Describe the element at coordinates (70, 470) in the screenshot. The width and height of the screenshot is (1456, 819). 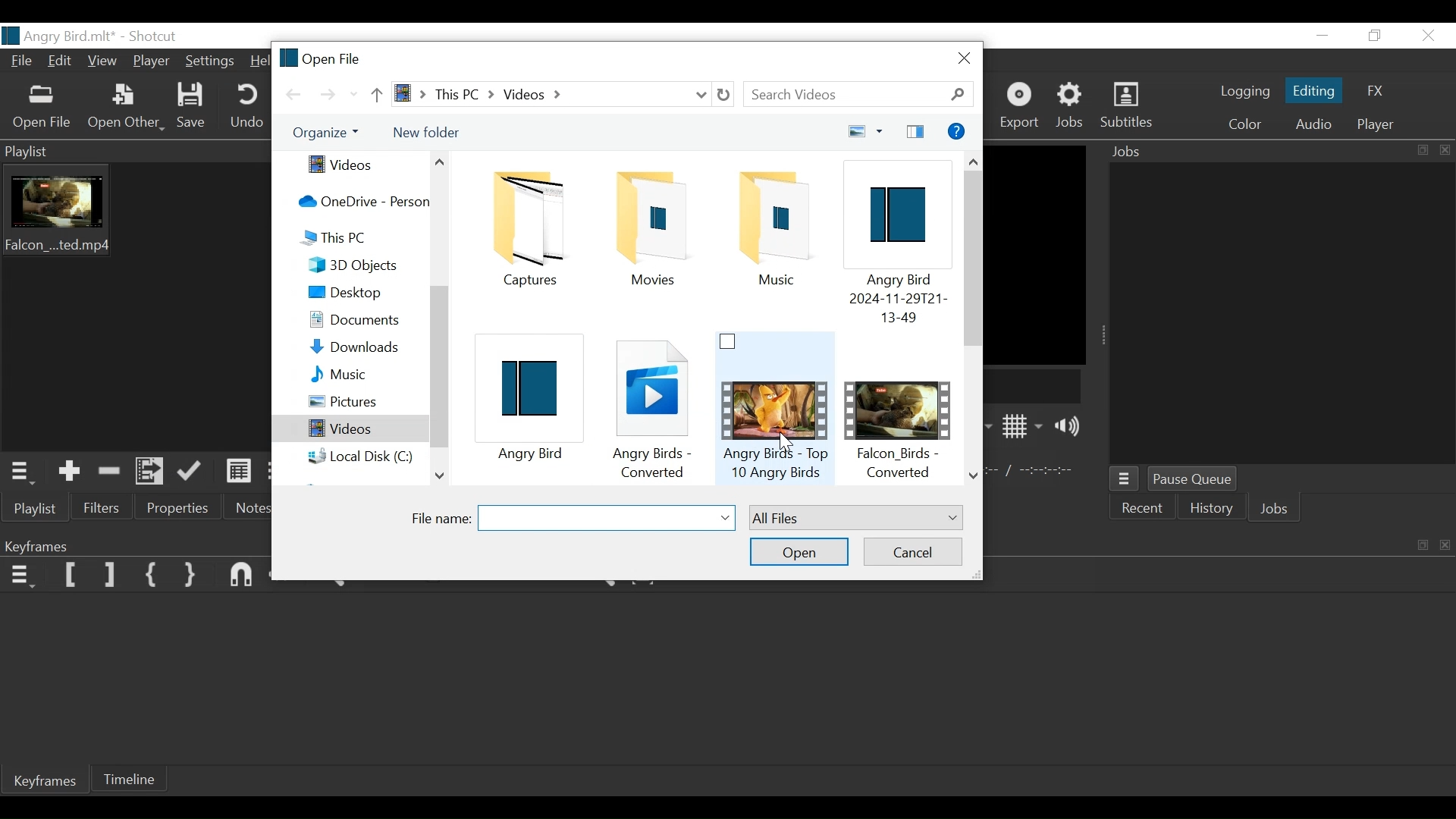
I see `Add the Source to the playlis` at that location.